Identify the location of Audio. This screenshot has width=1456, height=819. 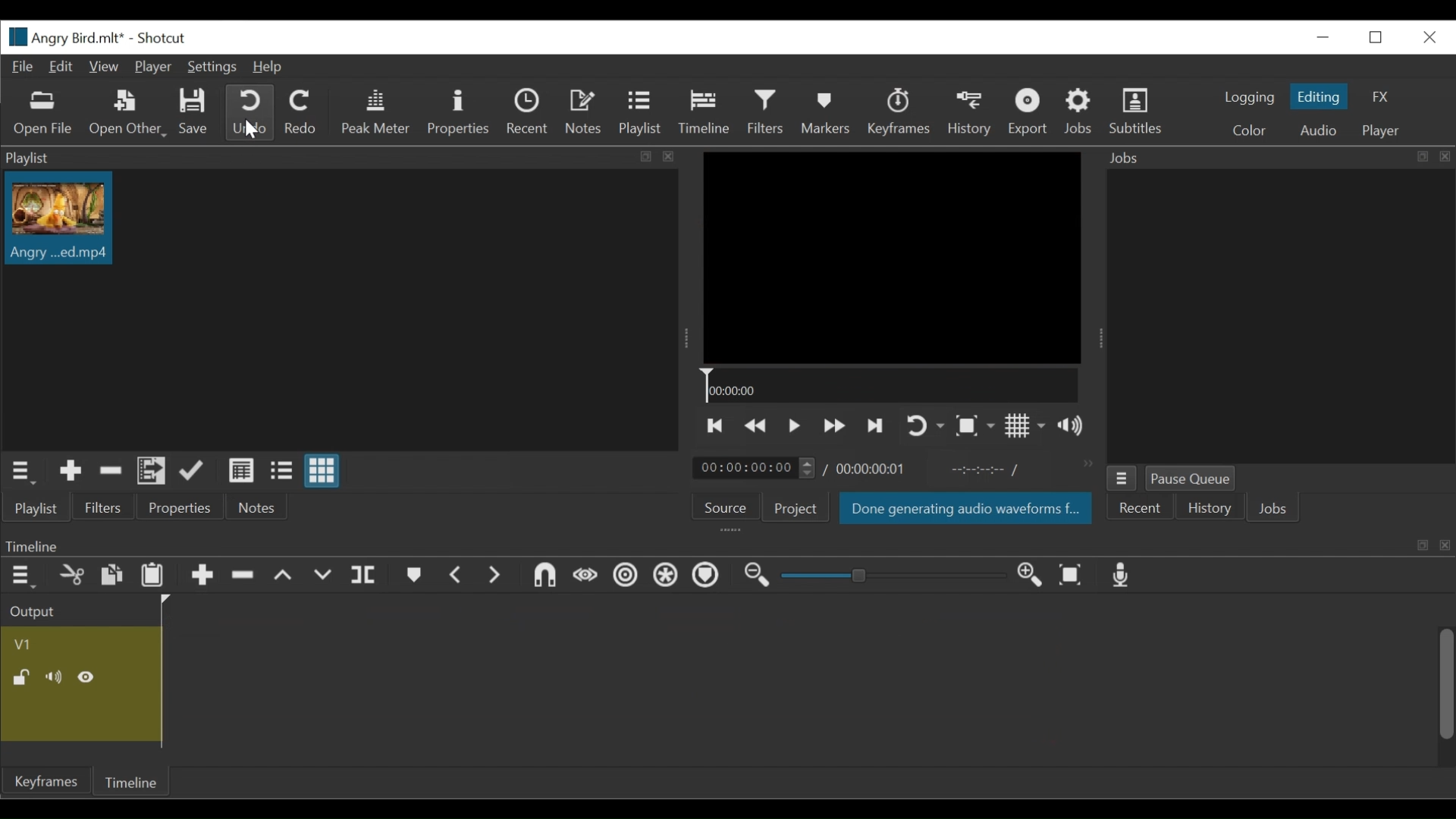
(1319, 129).